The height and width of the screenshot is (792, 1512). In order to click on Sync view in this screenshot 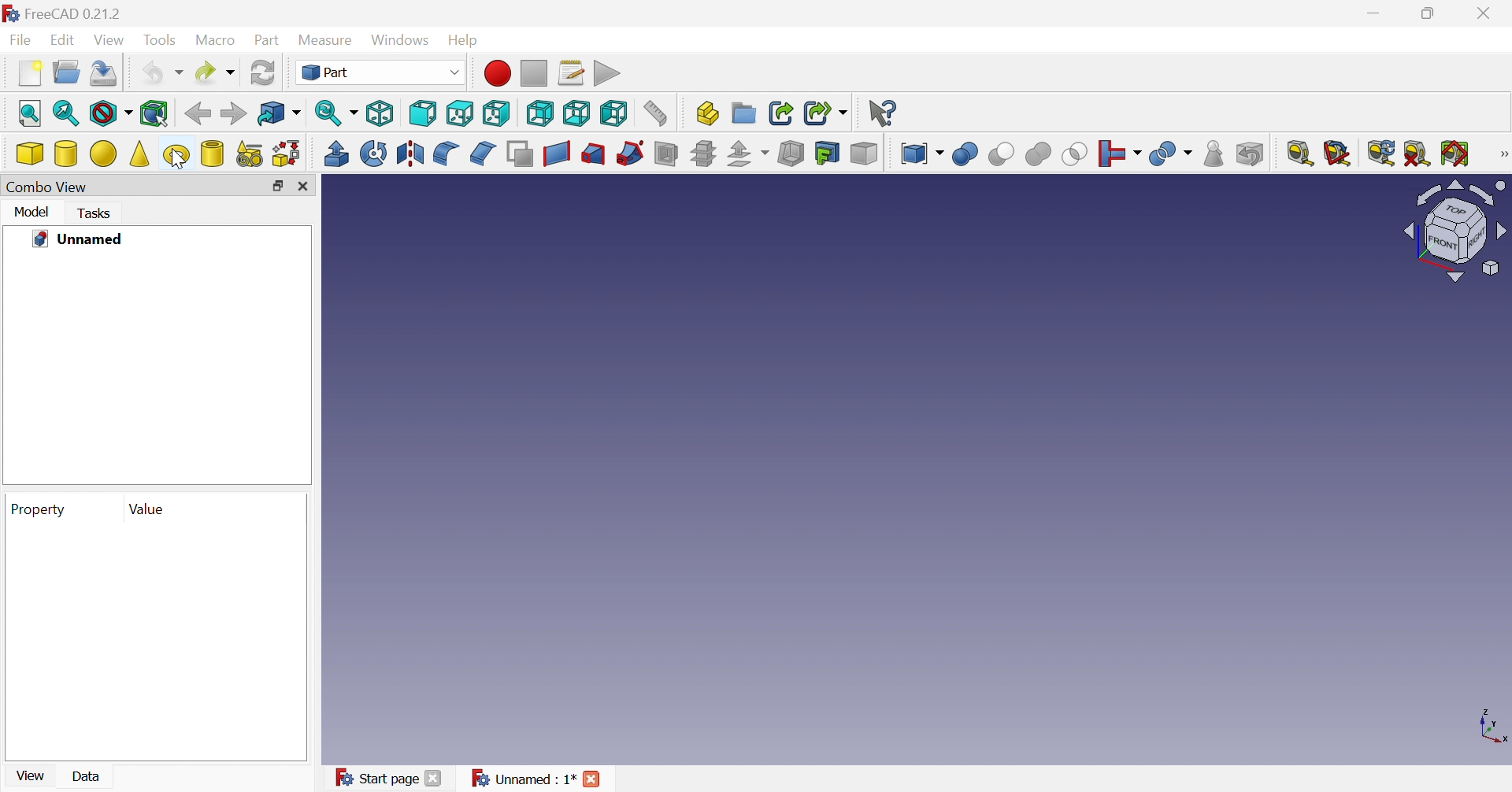, I will do `click(336, 112)`.